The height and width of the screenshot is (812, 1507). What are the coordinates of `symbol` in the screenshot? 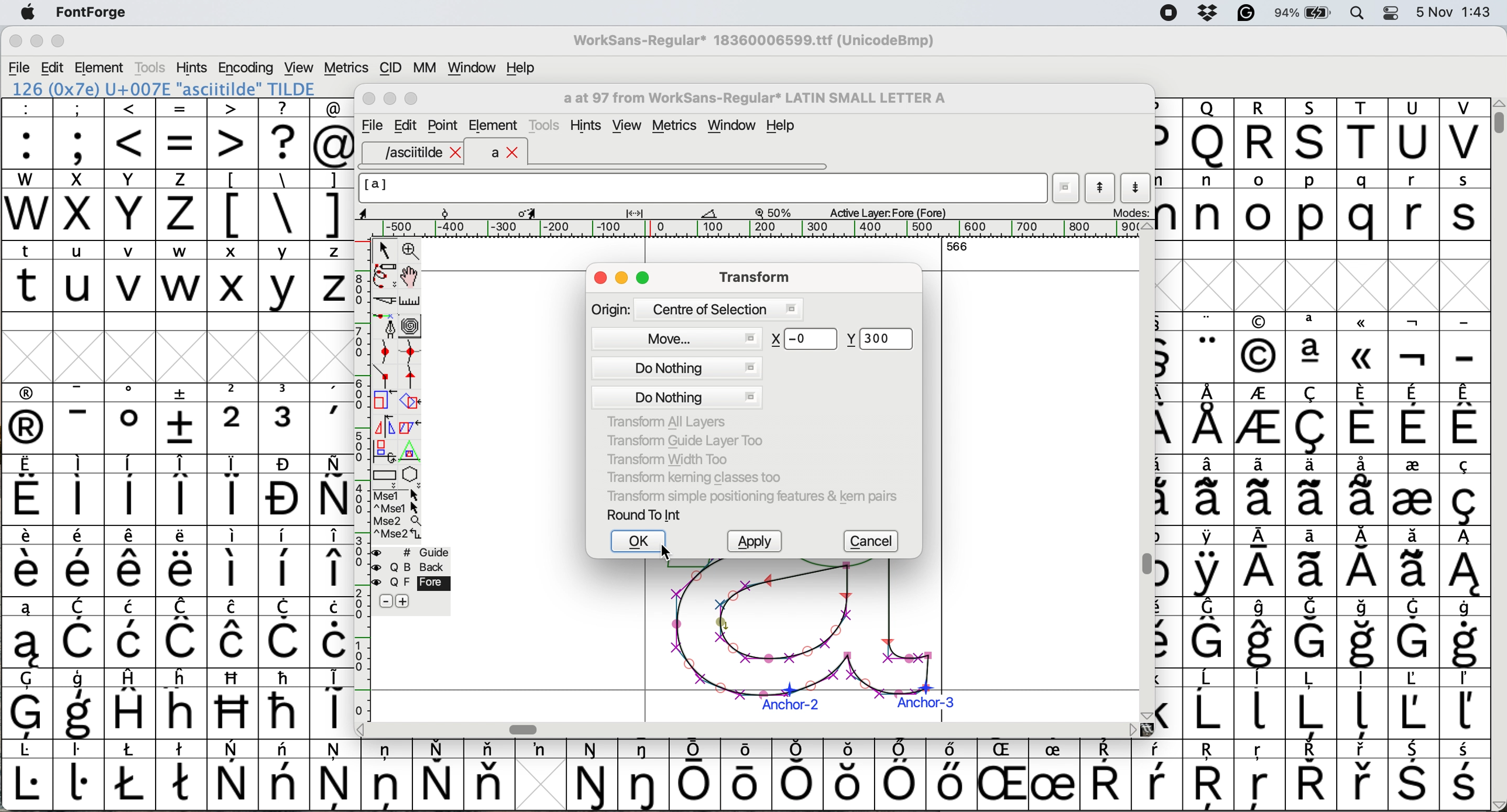 It's located at (183, 418).